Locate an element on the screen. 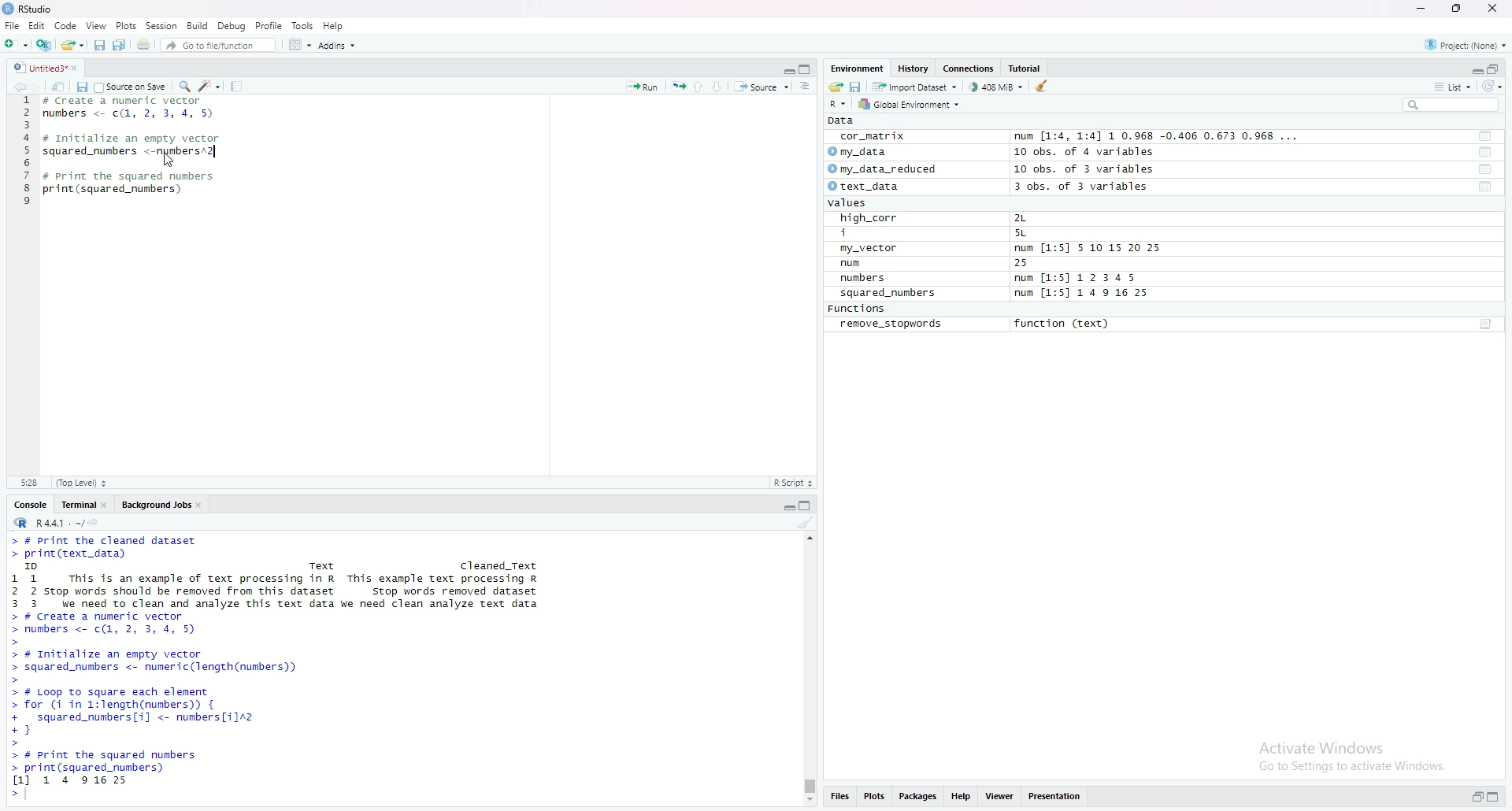  File is located at coordinates (12, 25).